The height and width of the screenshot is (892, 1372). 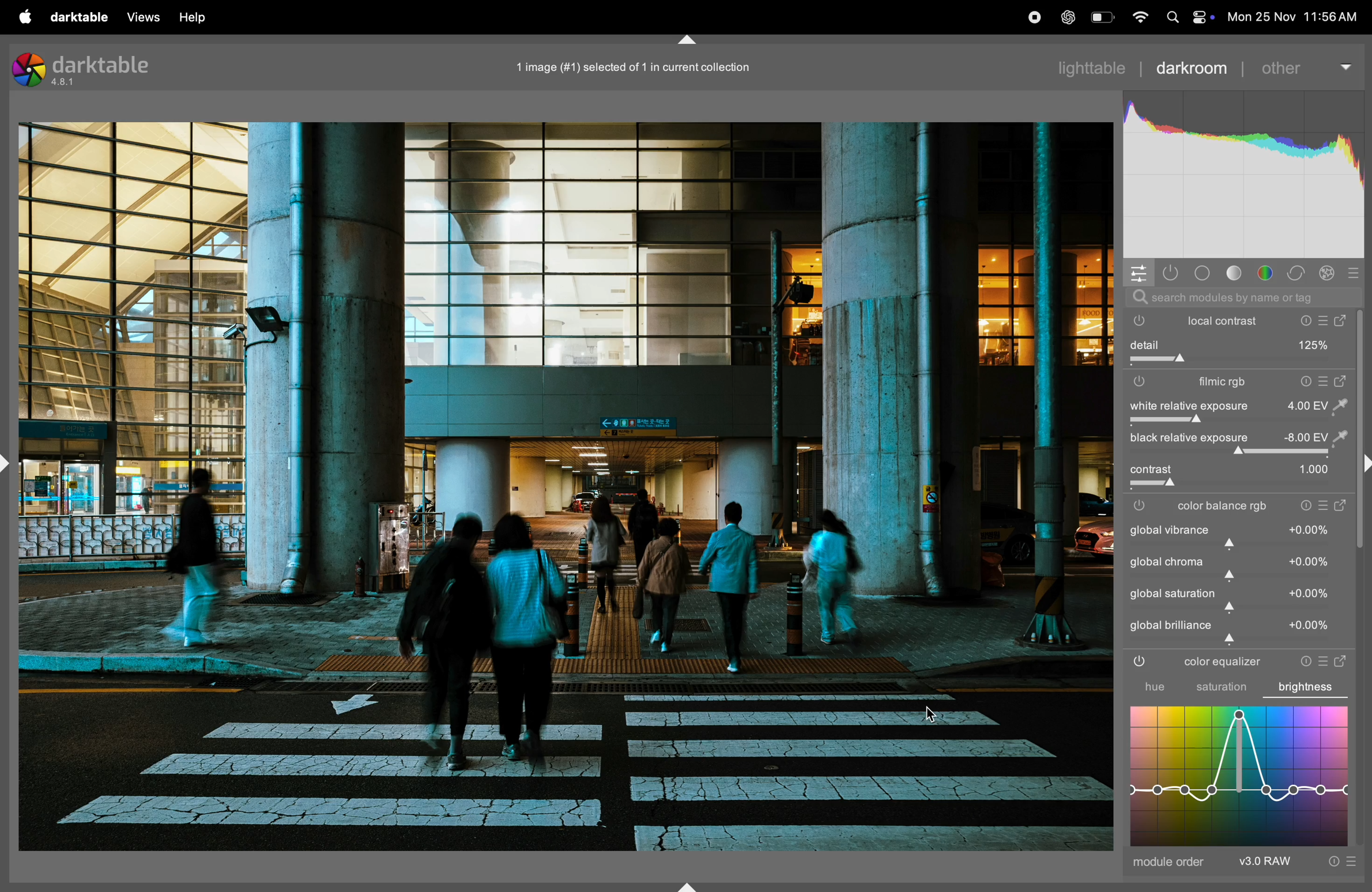 What do you see at coordinates (1313, 470) in the screenshot?
I see `value` at bounding box center [1313, 470].